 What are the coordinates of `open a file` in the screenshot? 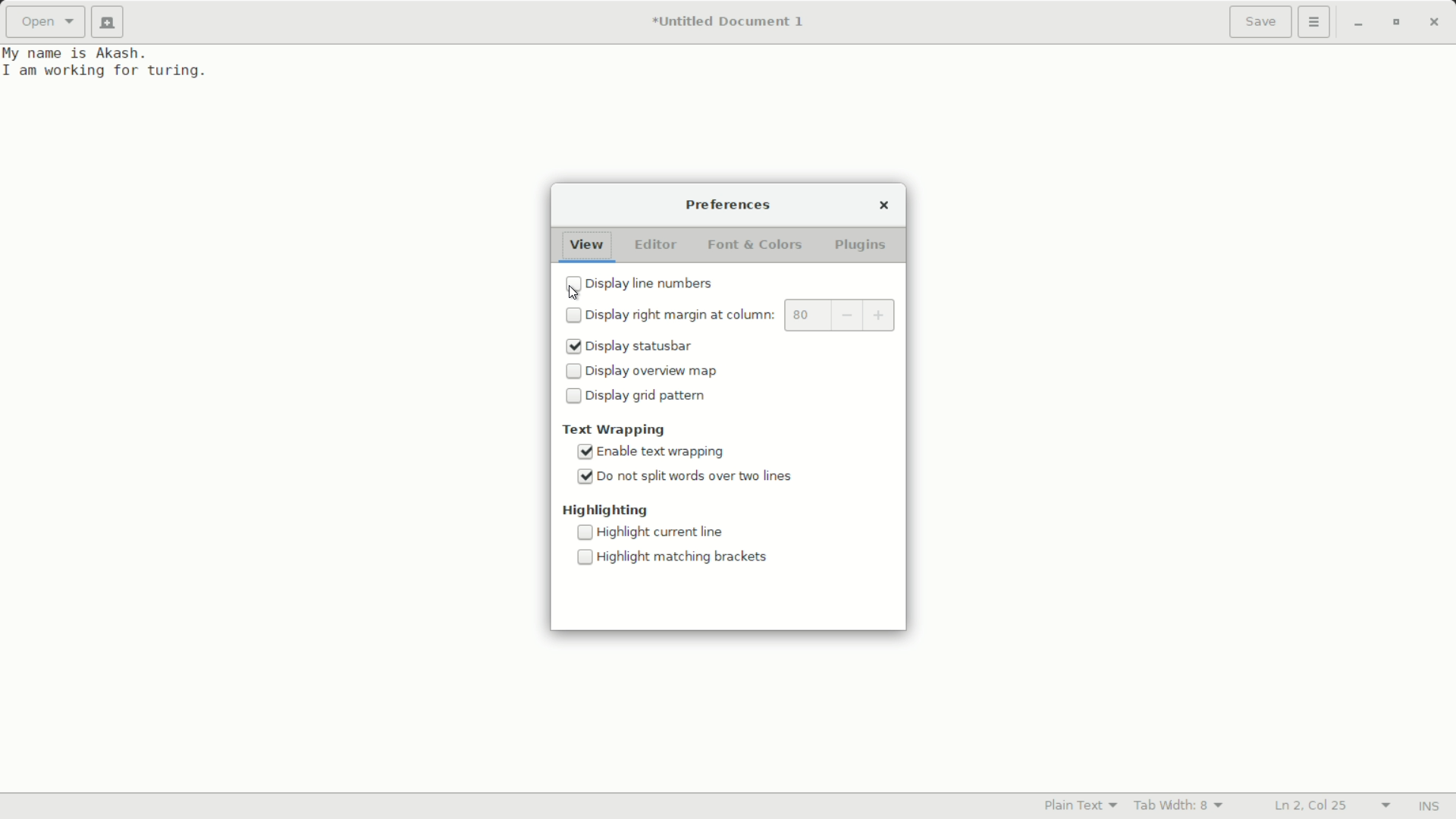 It's located at (44, 20).